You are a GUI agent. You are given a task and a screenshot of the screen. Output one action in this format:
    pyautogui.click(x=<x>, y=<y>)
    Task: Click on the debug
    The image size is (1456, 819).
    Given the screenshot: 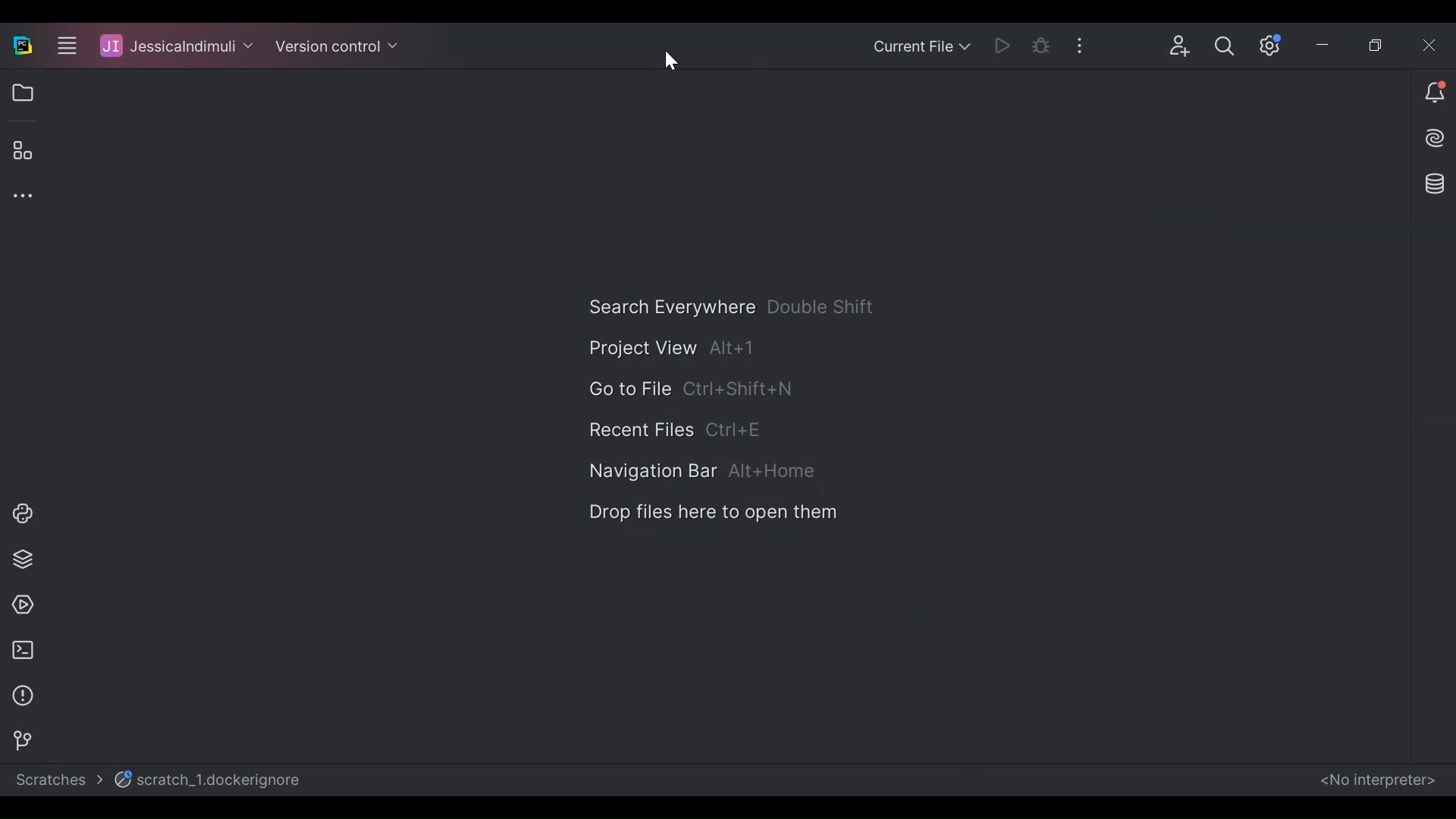 What is the action you would take?
    pyautogui.click(x=1047, y=44)
    